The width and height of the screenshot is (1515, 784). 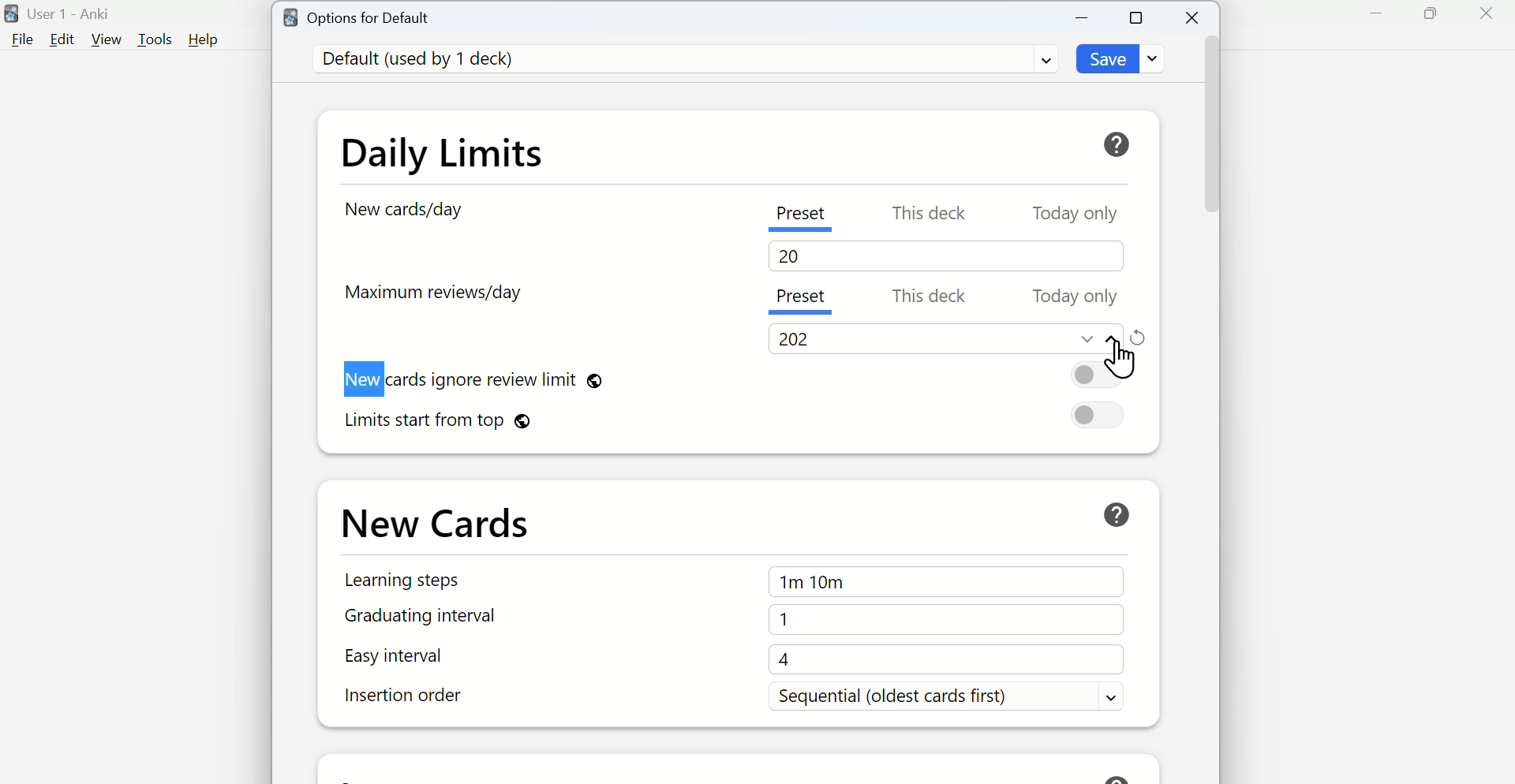 What do you see at coordinates (204, 39) in the screenshot?
I see `Help` at bounding box center [204, 39].